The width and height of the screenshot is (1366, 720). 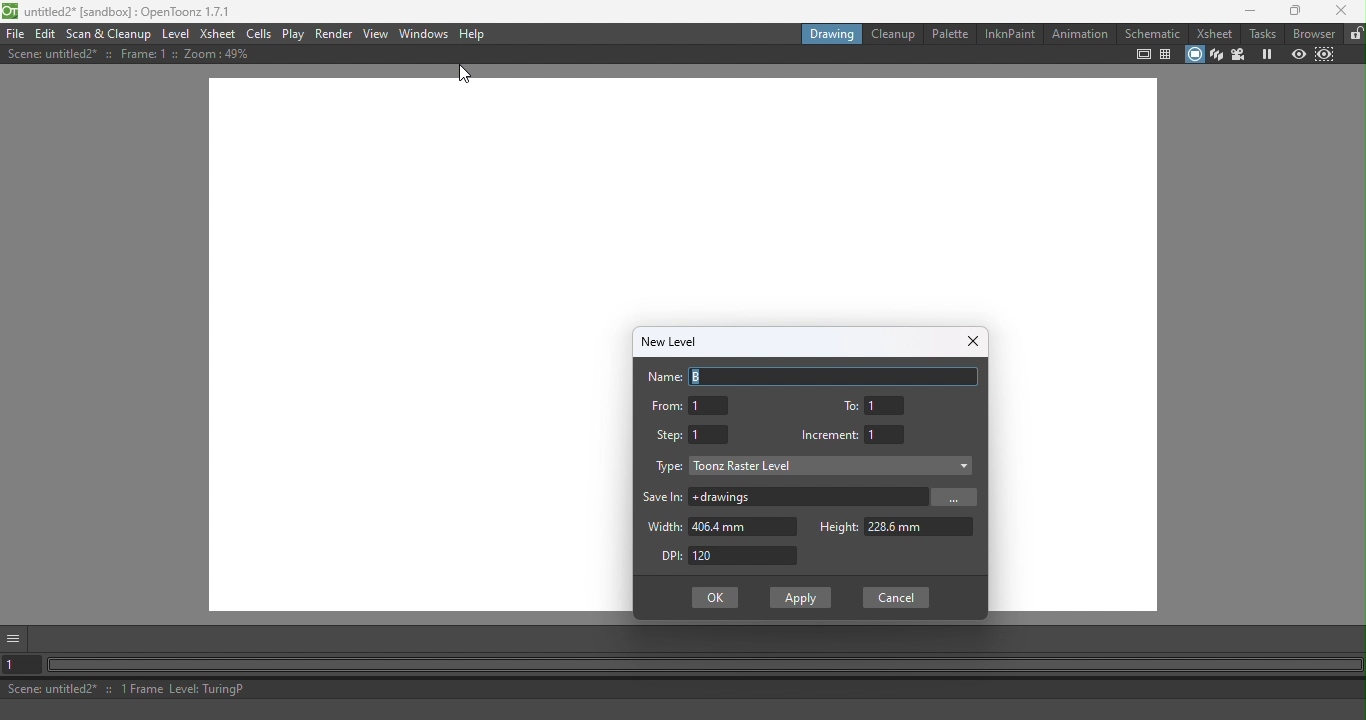 I want to click on 3D view, so click(x=1219, y=54).